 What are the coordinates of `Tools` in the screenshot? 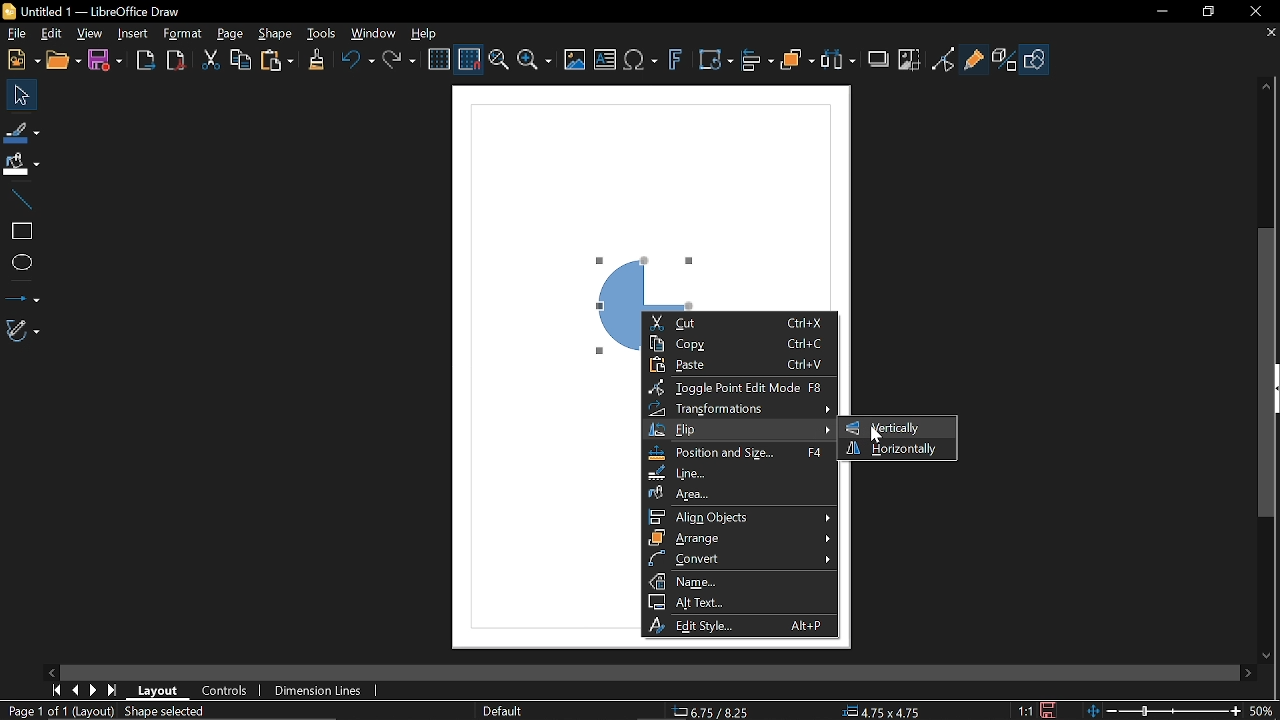 It's located at (321, 33).